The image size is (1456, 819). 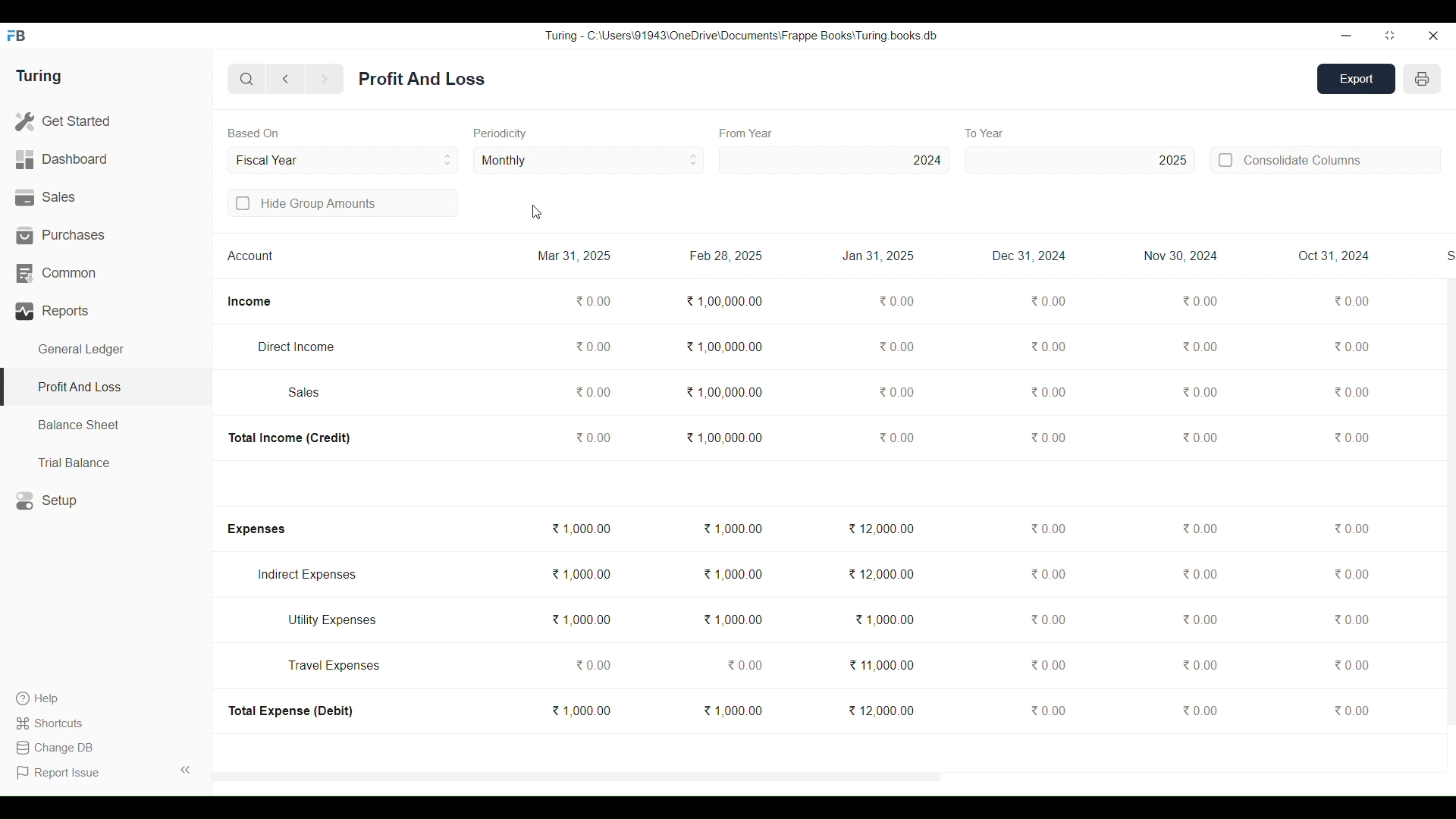 What do you see at coordinates (249, 302) in the screenshot?
I see `Income` at bounding box center [249, 302].